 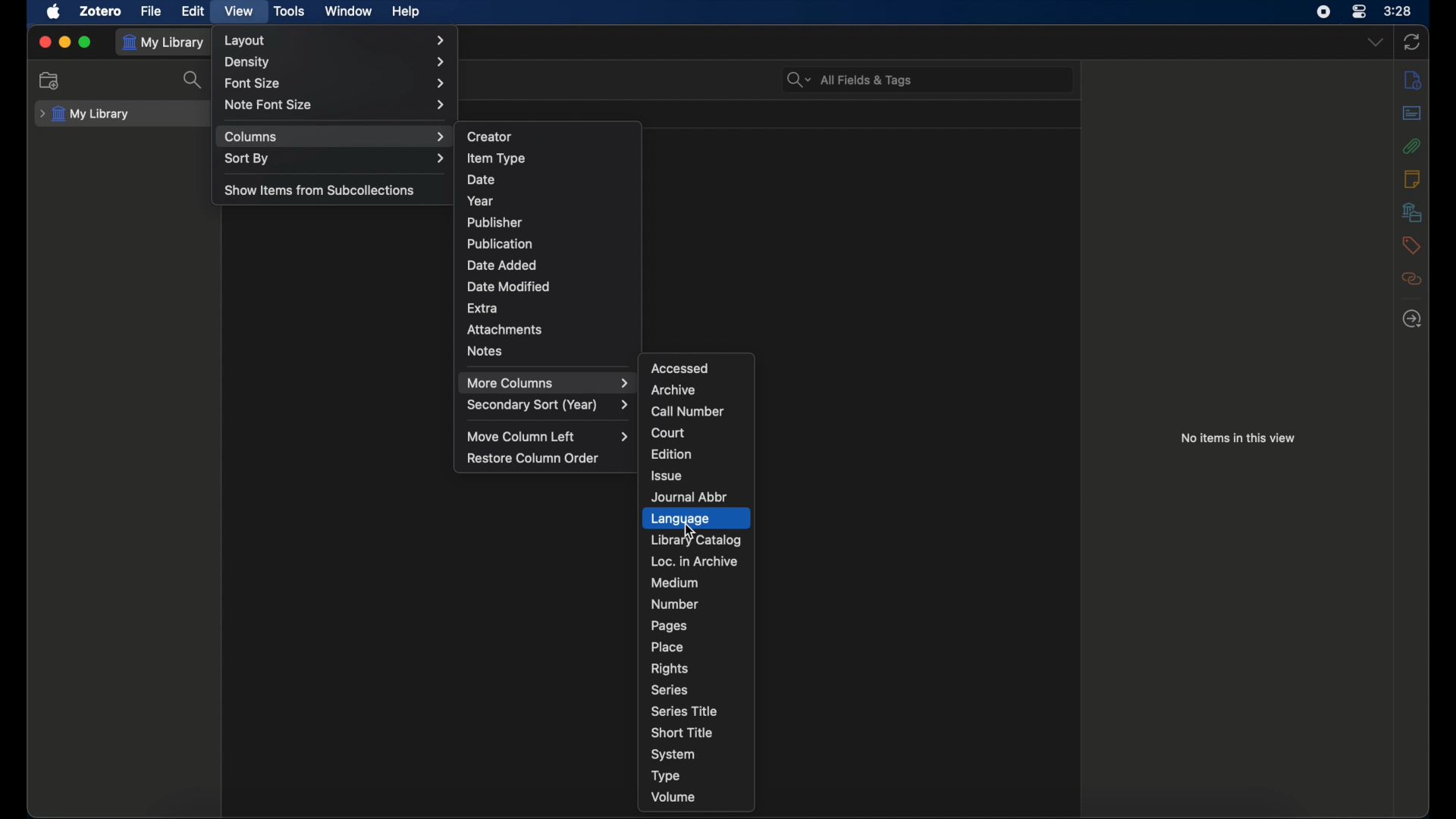 What do you see at coordinates (681, 368) in the screenshot?
I see `accessed` at bounding box center [681, 368].